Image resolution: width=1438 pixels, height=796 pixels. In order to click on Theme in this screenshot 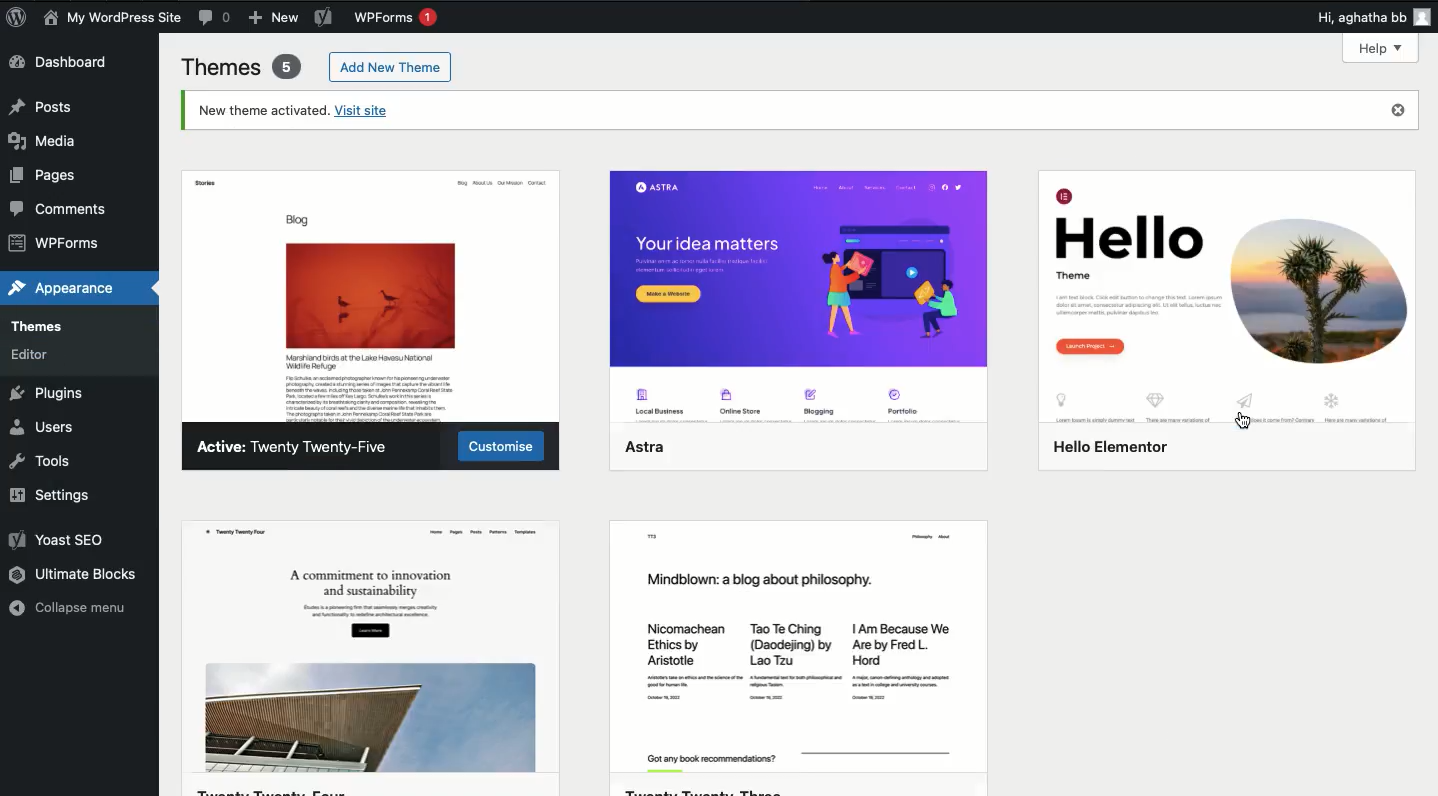, I will do `click(799, 637)`.